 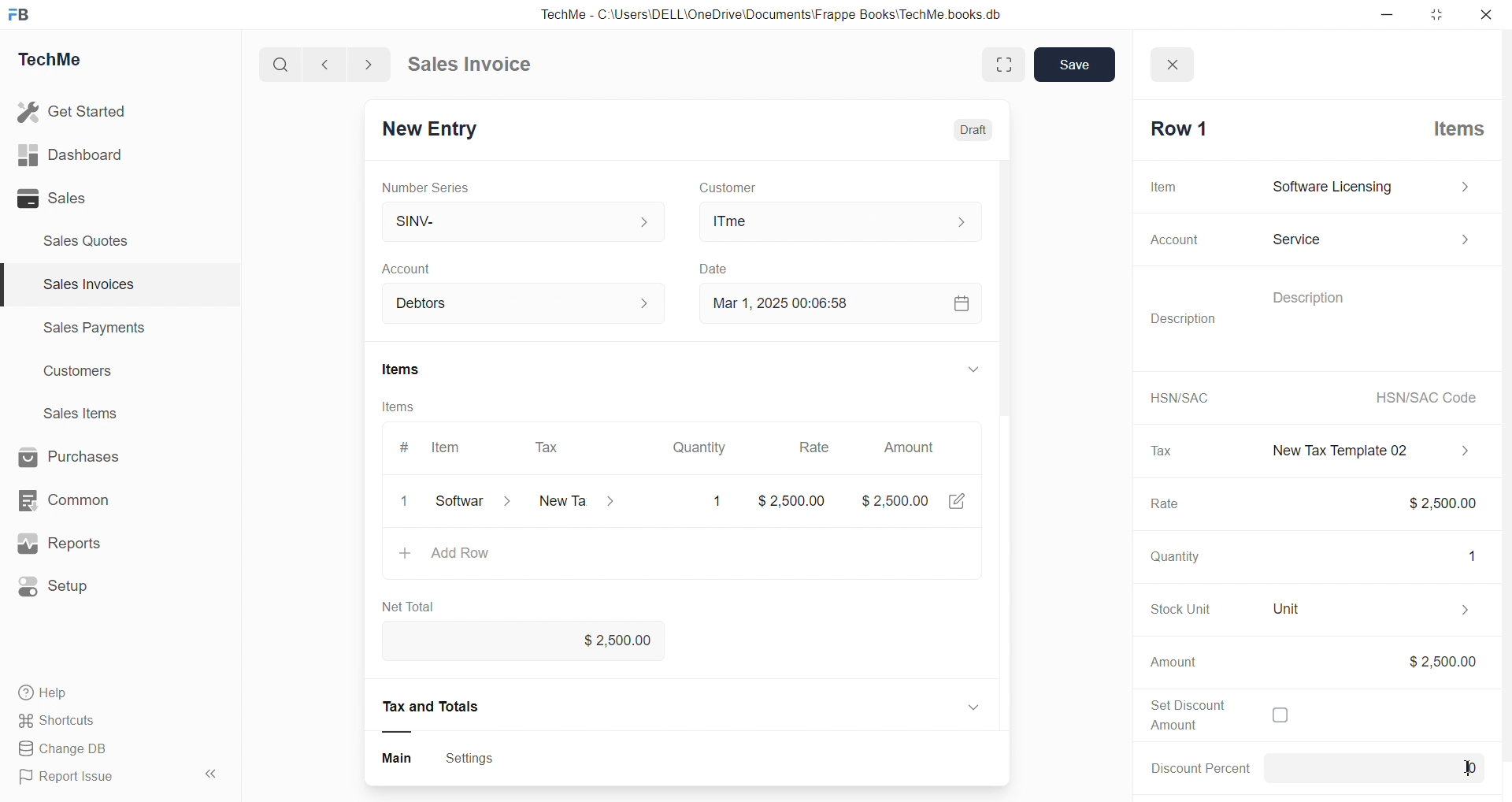 What do you see at coordinates (1362, 609) in the screenshot?
I see `Unit` at bounding box center [1362, 609].